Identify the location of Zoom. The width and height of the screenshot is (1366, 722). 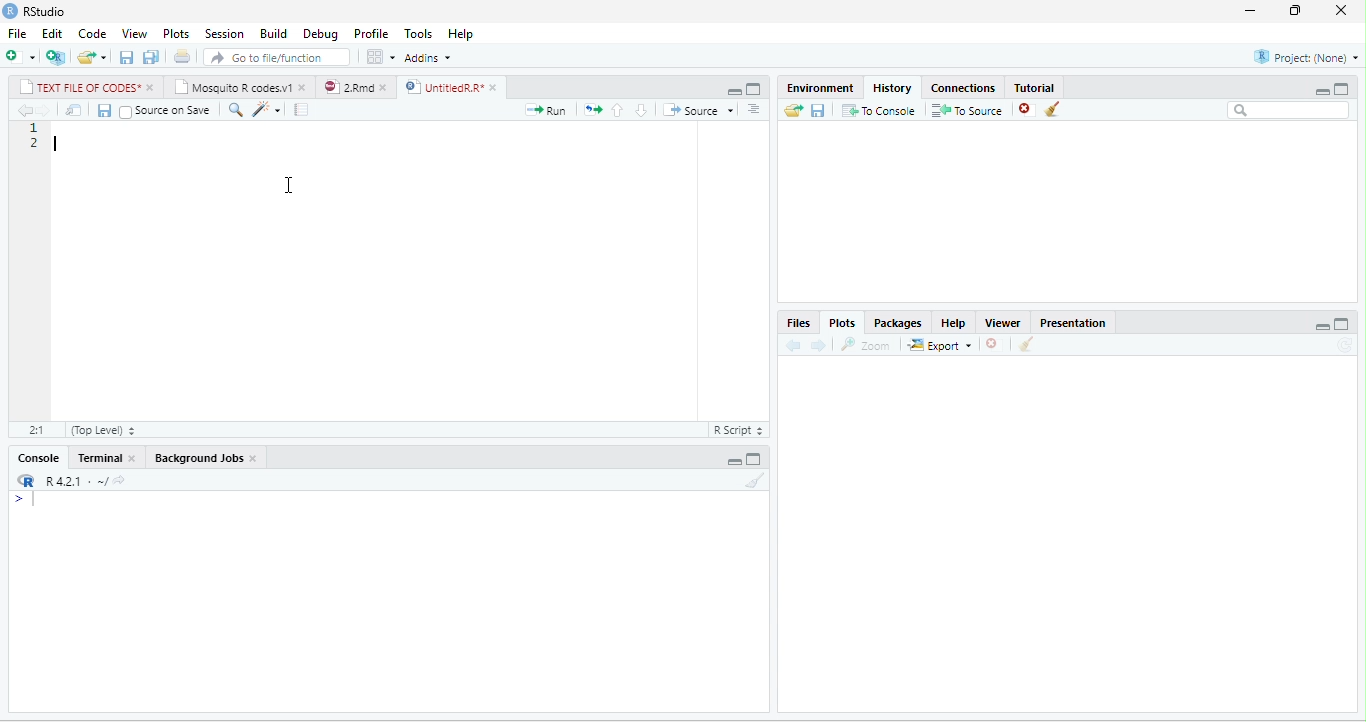
(864, 345).